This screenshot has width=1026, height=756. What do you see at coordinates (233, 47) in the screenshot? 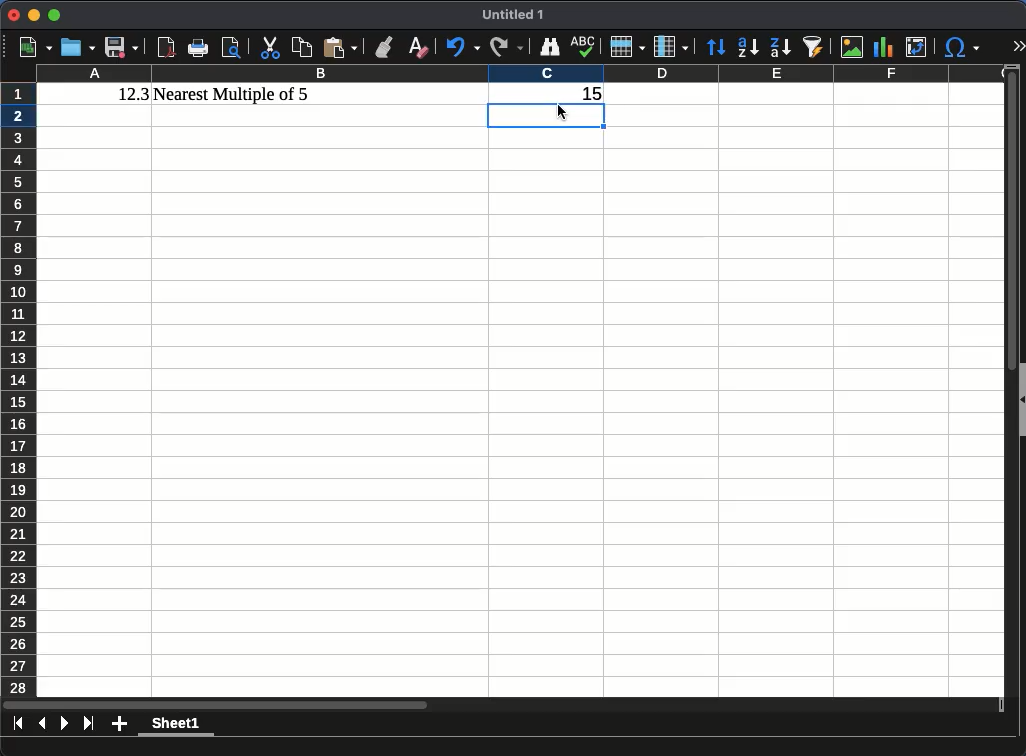
I see `print preview` at bounding box center [233, 47].